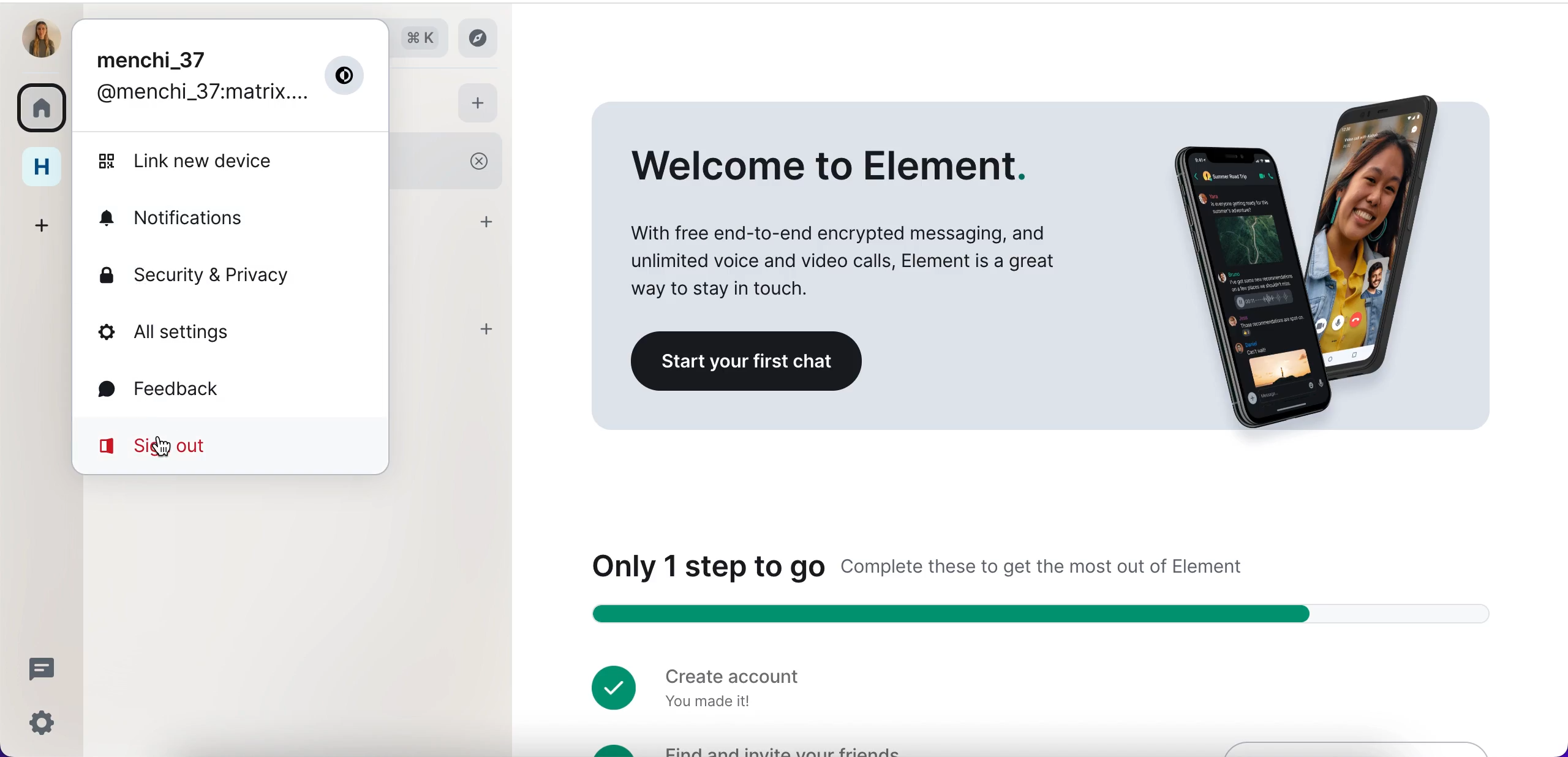 The height and width of the screenshot is (757, 1568). What do you see at coordinates (39, 722) in the screenshot?
I see `quick settings` at bounding box center [39, 722].